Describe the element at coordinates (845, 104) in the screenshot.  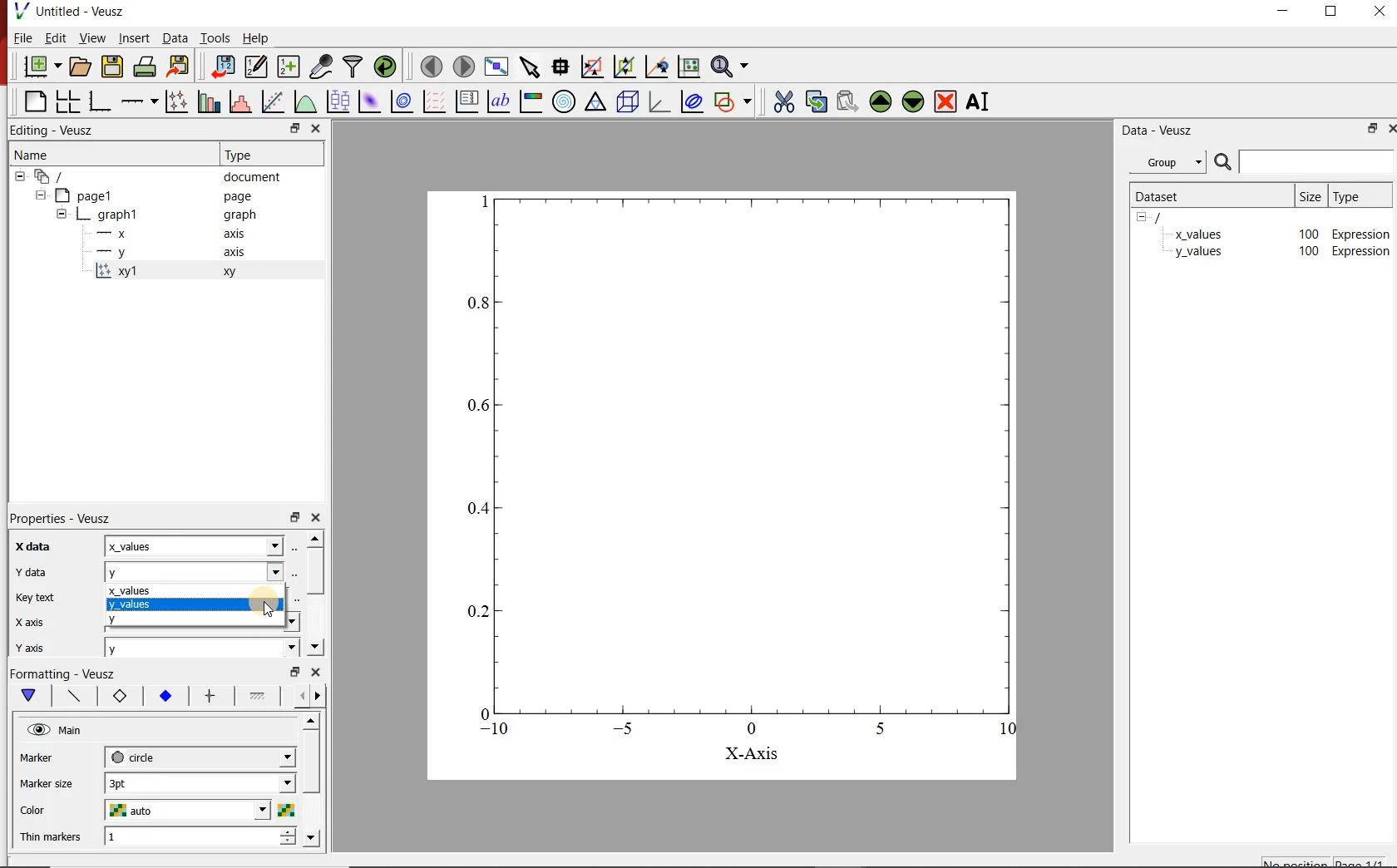
I see `paste the selected widget` at that location.